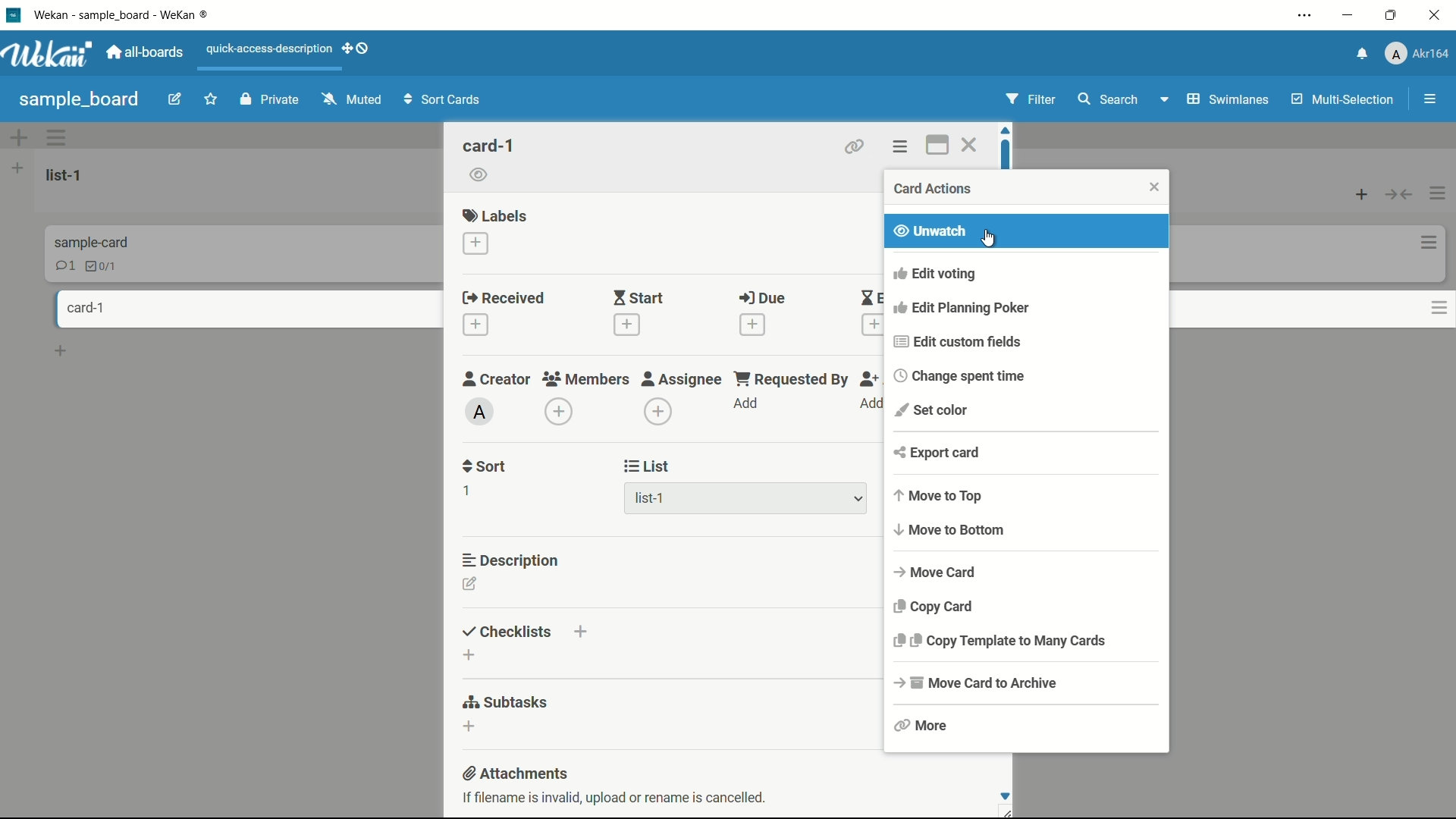 The image size is (1456, 819). What do you see at coordinates (268, 100) in the screenshot?
I see `private` at bounding box center [268, 100].